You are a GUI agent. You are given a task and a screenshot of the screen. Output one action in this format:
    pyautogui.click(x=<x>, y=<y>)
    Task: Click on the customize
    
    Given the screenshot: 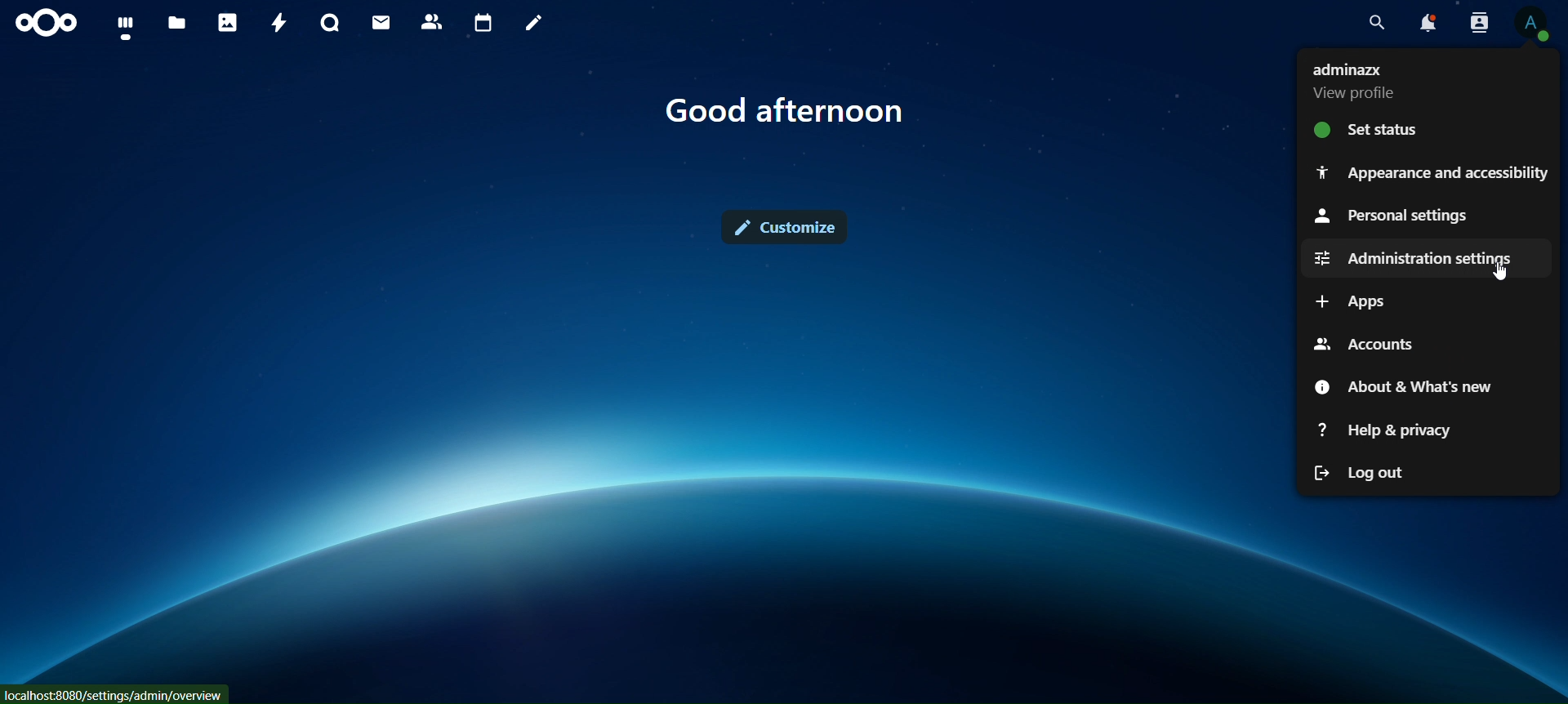 What is the action you would take?
    pyautogui.click(x=787, y=225)
    